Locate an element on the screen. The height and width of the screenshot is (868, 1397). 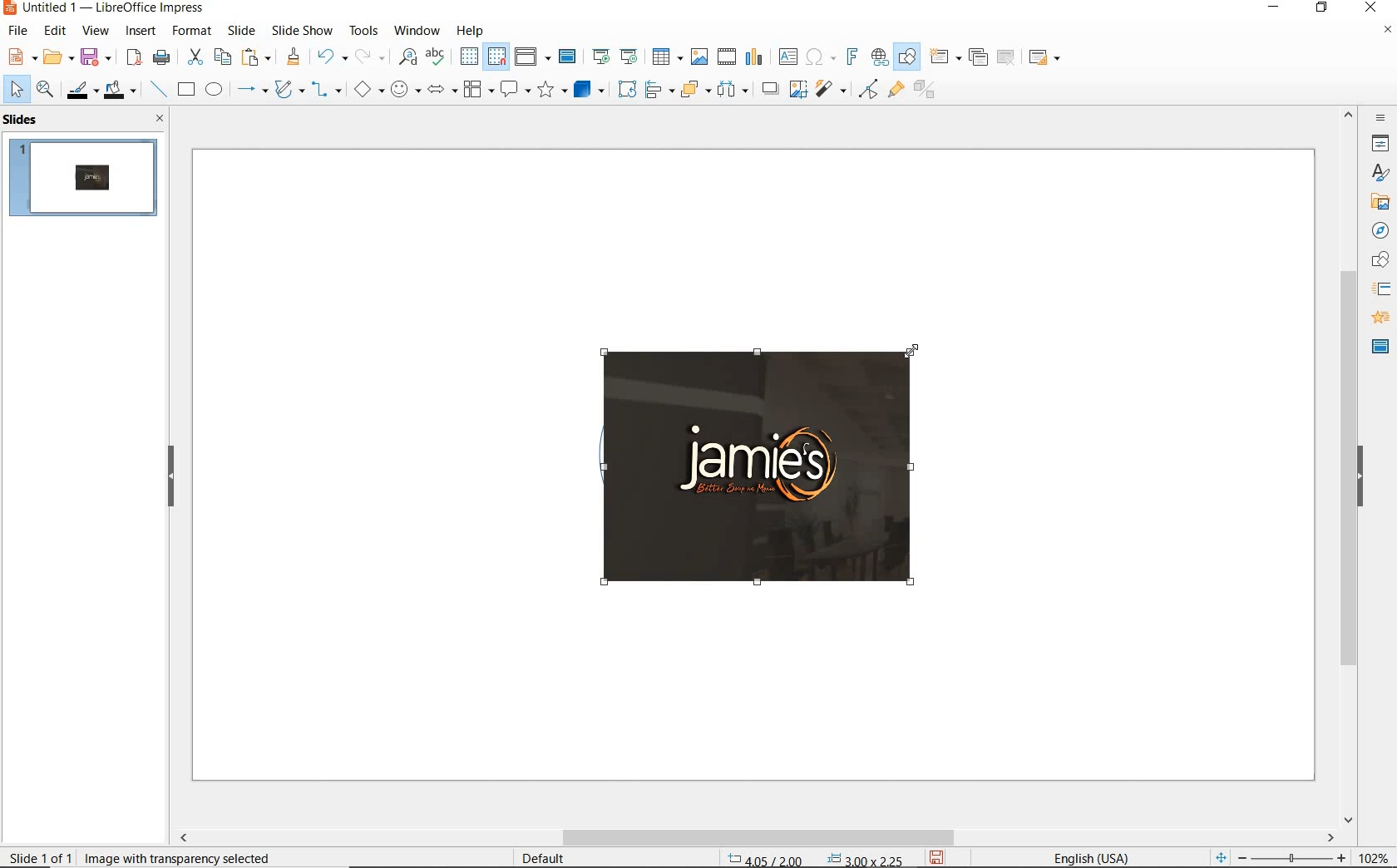
zoom & pan is located at coordinates (47, 91).